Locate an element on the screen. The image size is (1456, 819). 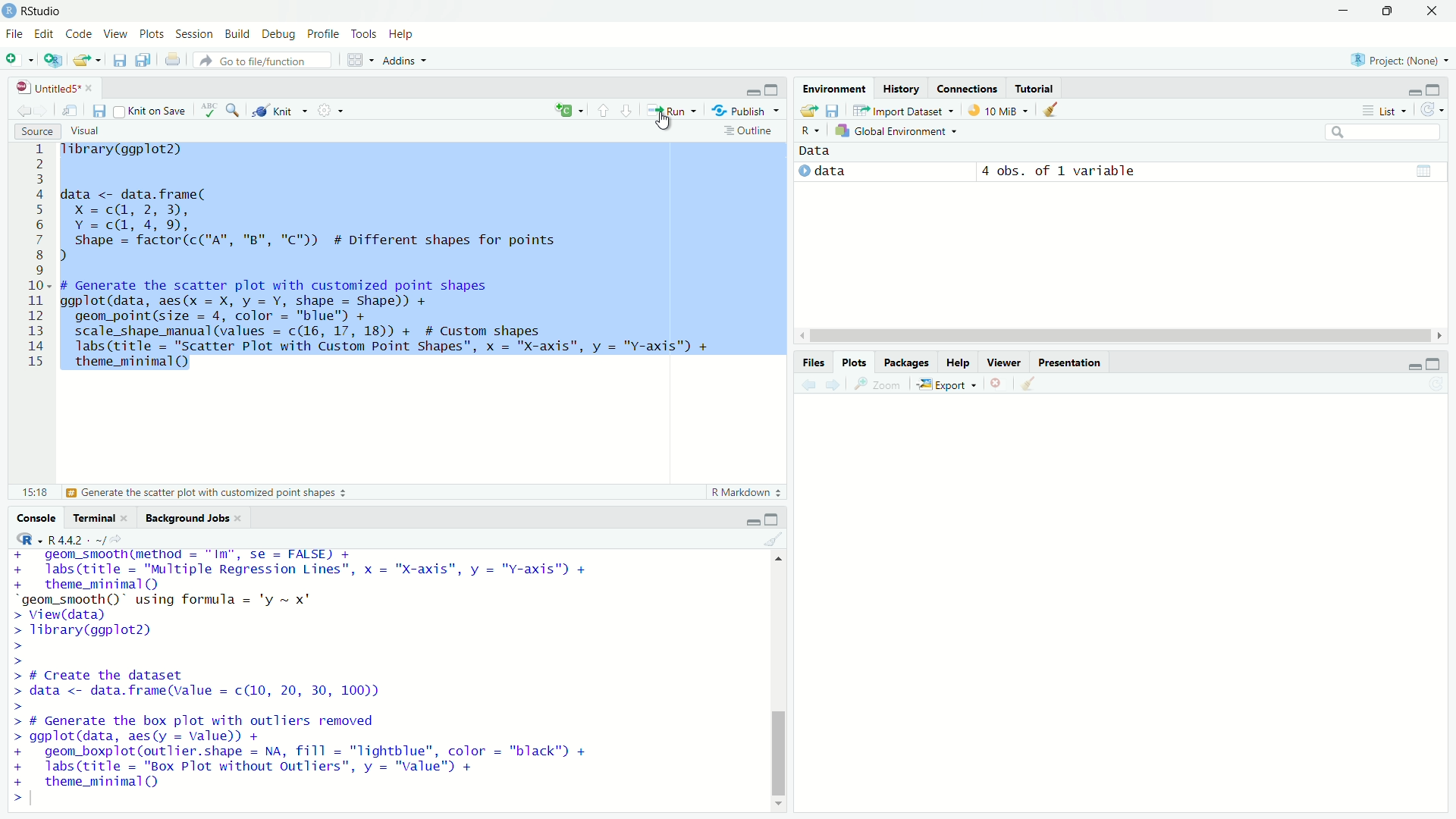
Import Dataset is located at coordinates (903, 111).